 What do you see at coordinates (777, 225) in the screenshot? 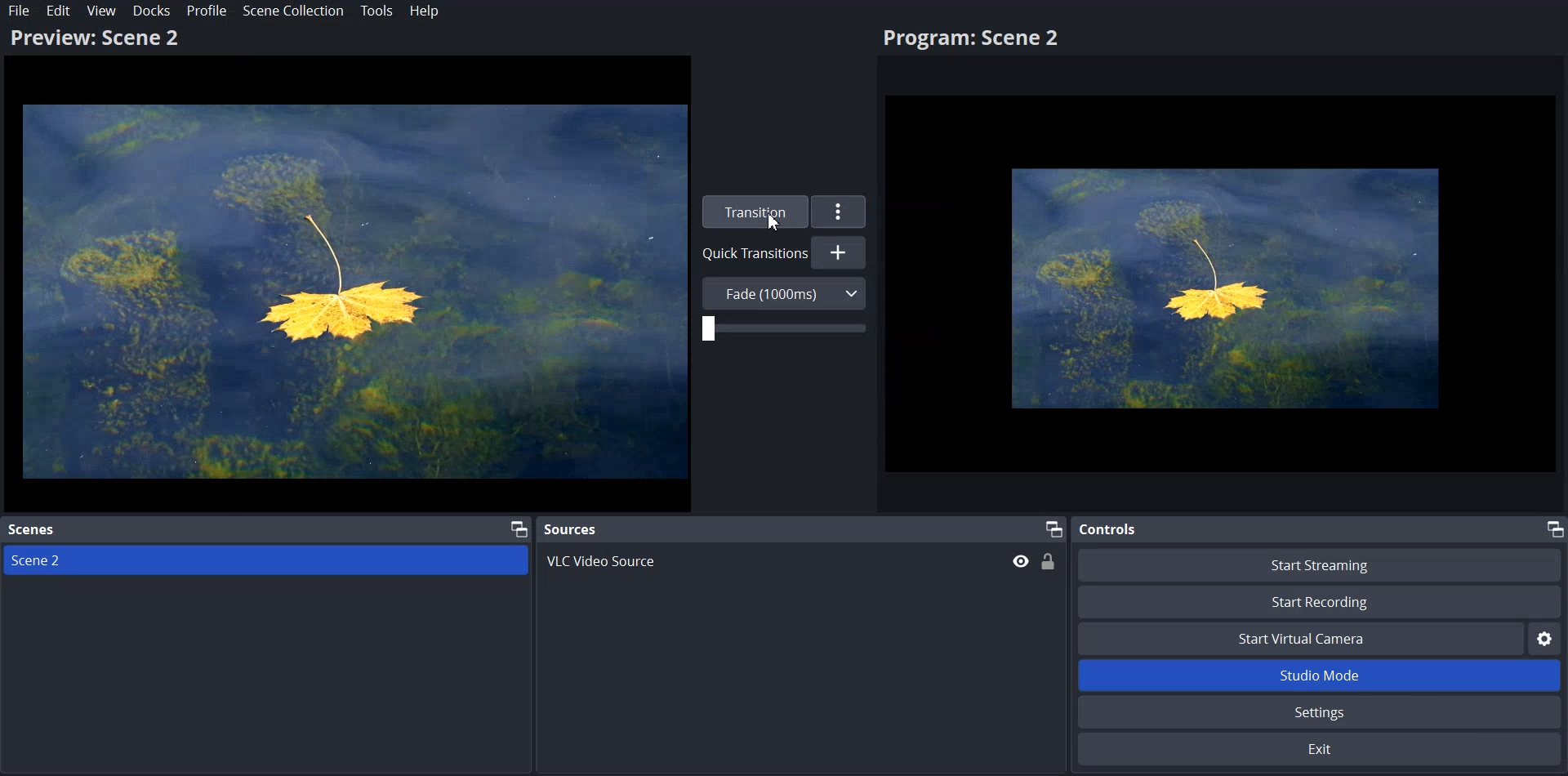
I see `Cursor` at bounding box center [777, 225].